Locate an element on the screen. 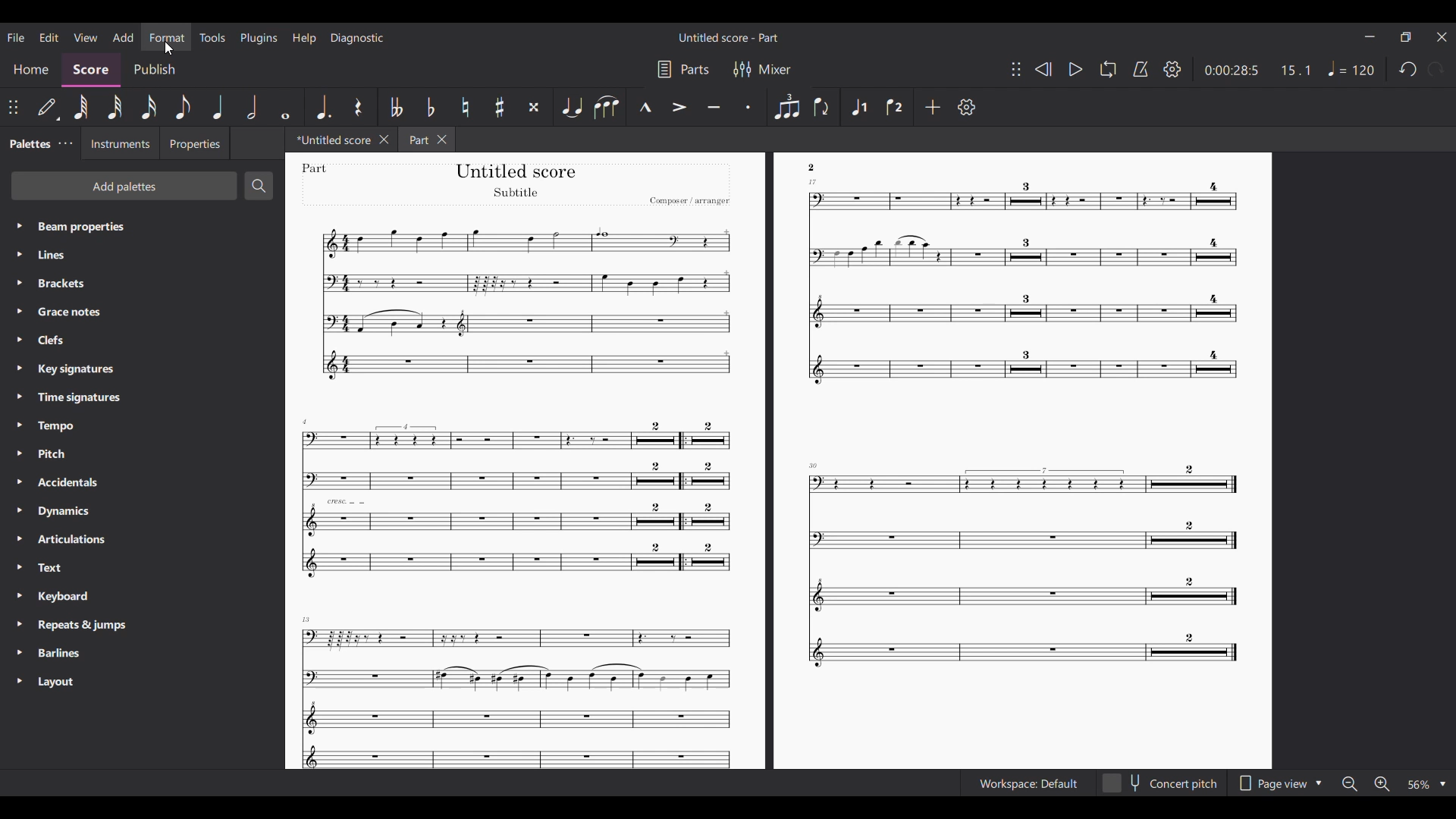 Image resolution: width=1456 pixels, height=819 pixels. Toggle double flat is located at coordinates (396, 106).